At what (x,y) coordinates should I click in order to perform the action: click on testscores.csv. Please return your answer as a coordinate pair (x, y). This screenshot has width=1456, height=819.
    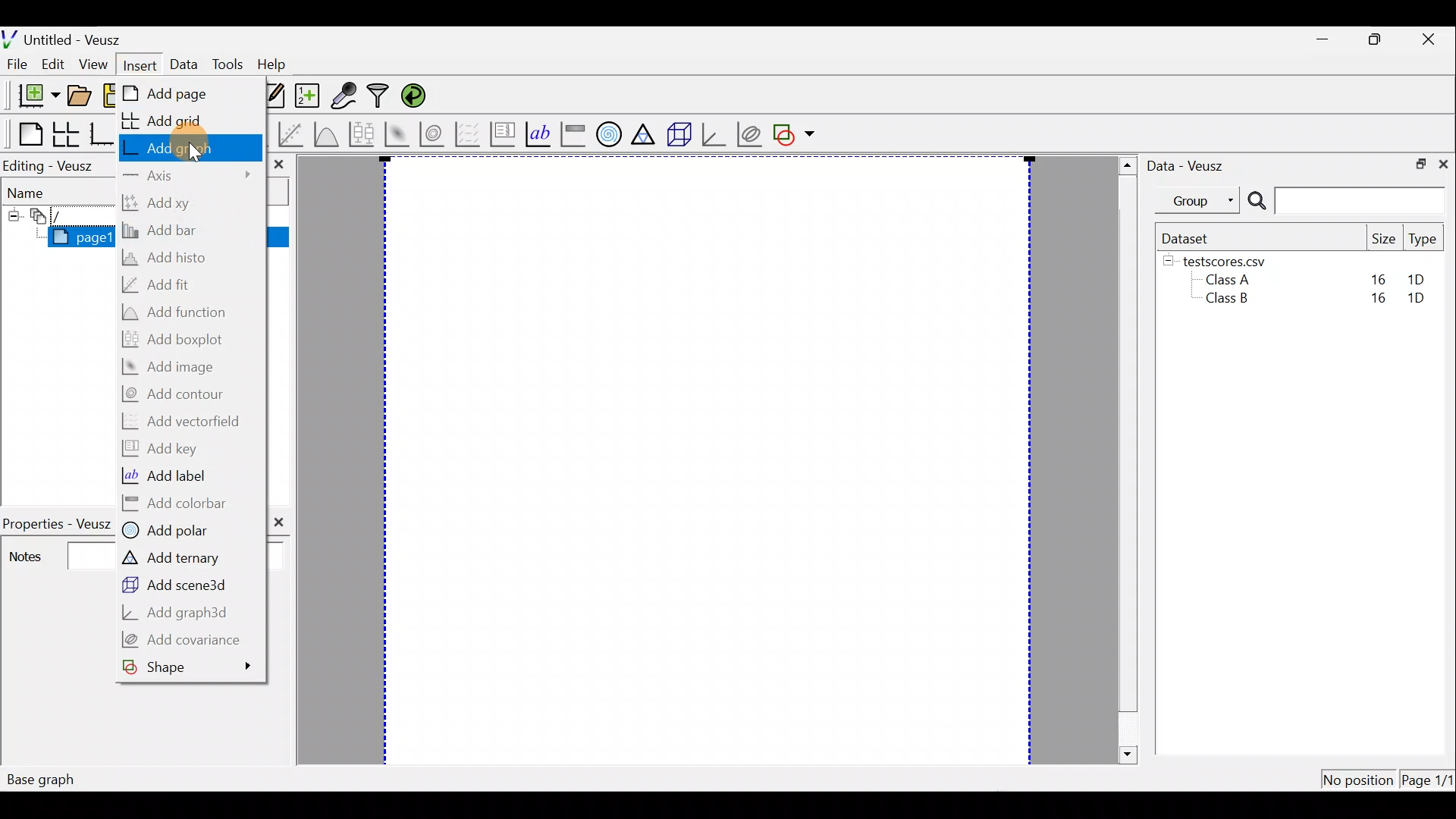
    Looking at the image, I should click on (1233, 261).